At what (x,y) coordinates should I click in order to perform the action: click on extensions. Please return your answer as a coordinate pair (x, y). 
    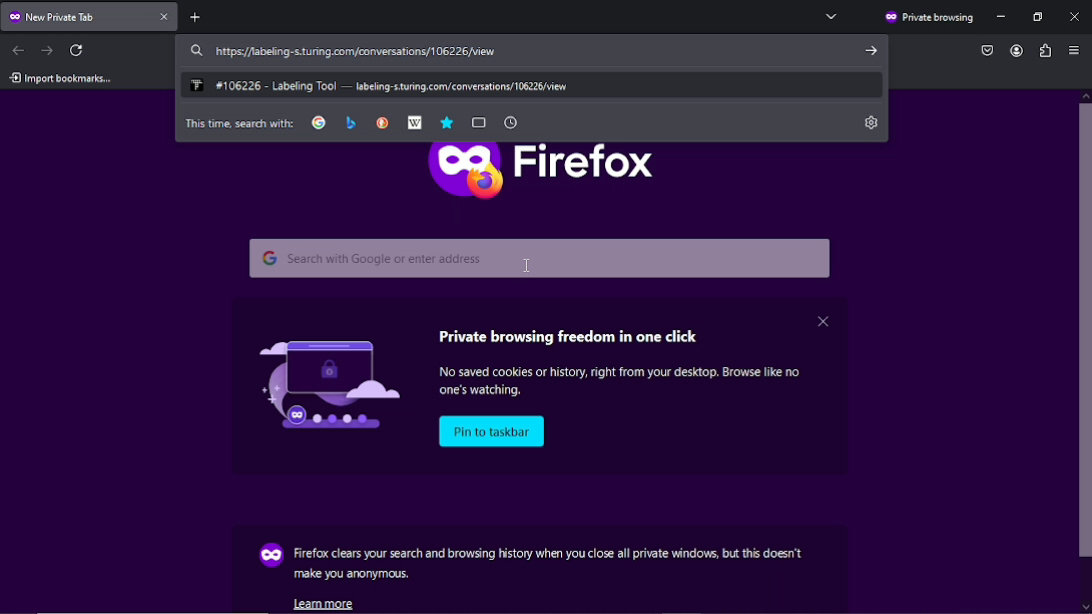
    Looking at the image, I should click on (1044, 50).